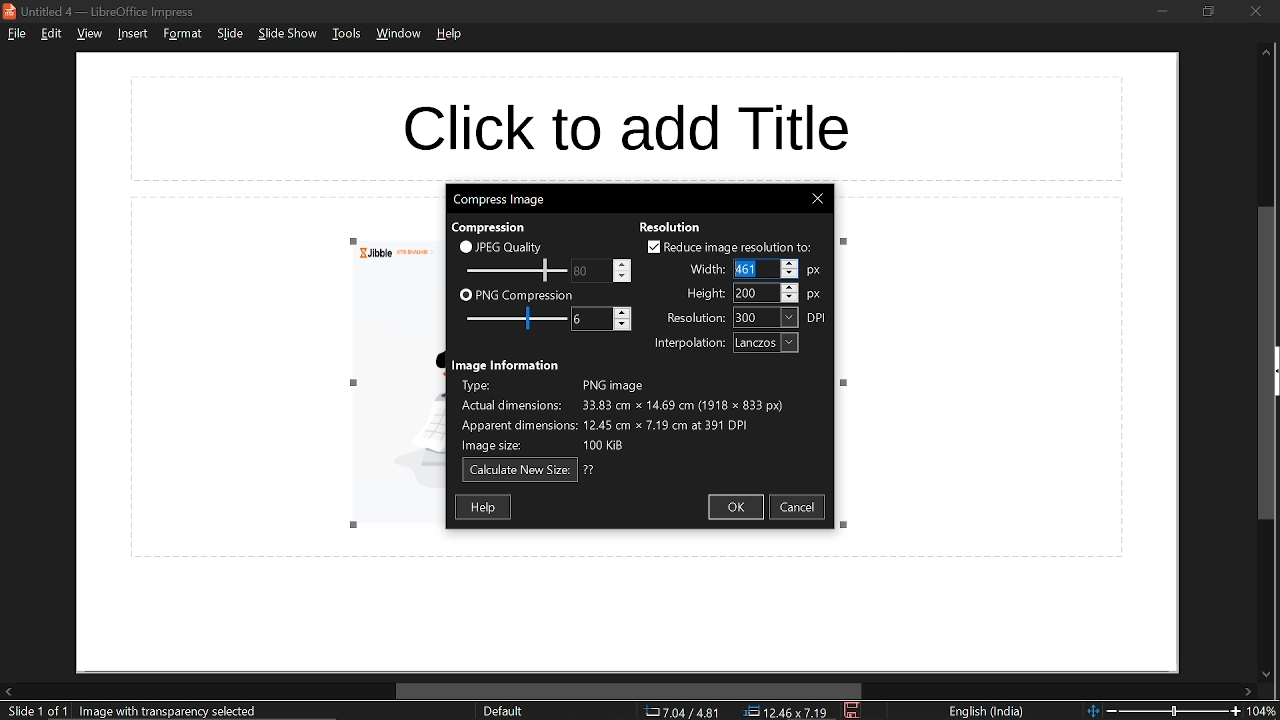  Describe the element at coordinates (740, 247) in the screenshot. I see `reduce image resolution` at that location.